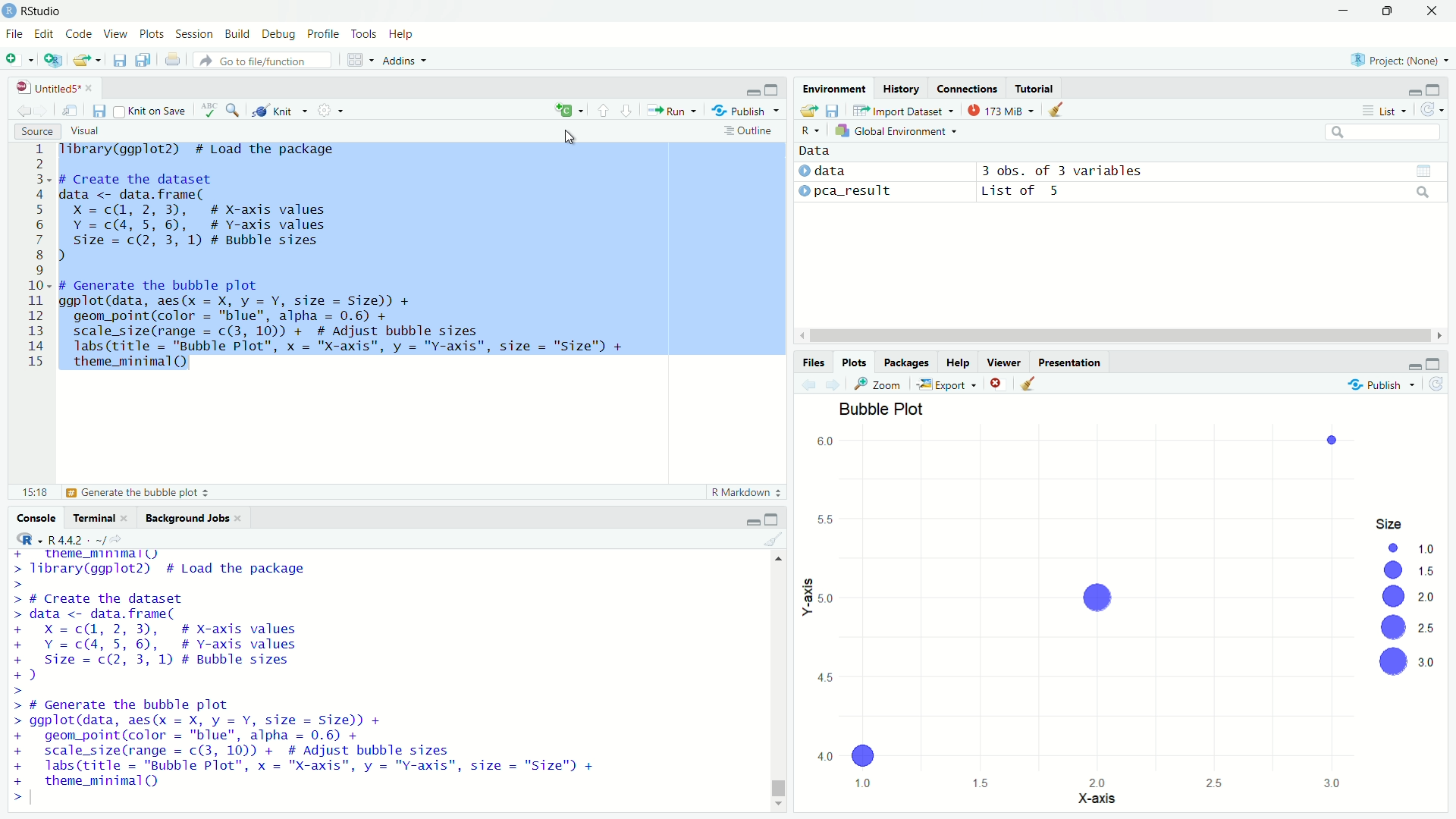 Image resolution: width=1456 pixels, height=819 pixels. Describe the element at coordinates (752, 519) in the screenshot. I see `minimize` at that location.